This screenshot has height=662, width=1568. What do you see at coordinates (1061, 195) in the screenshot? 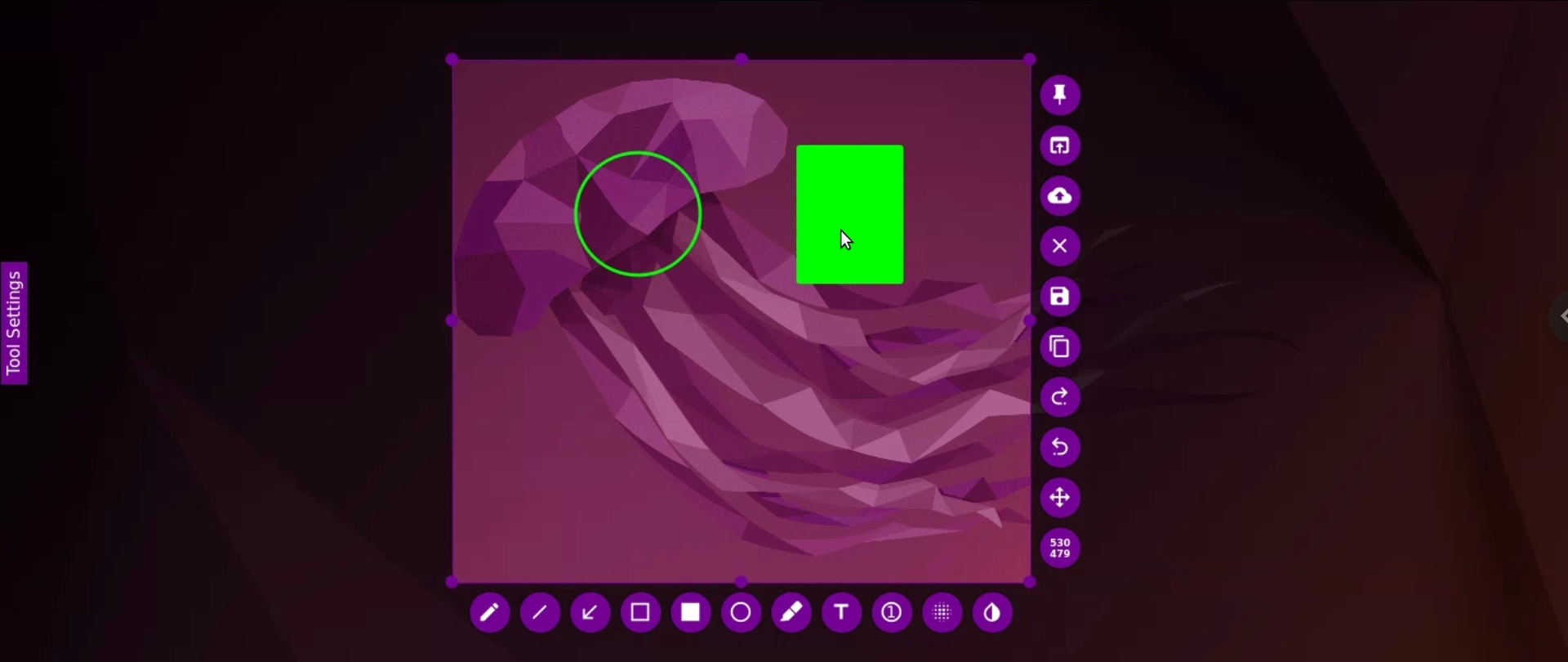
I see `upload` at bounding box center [1061, 195].